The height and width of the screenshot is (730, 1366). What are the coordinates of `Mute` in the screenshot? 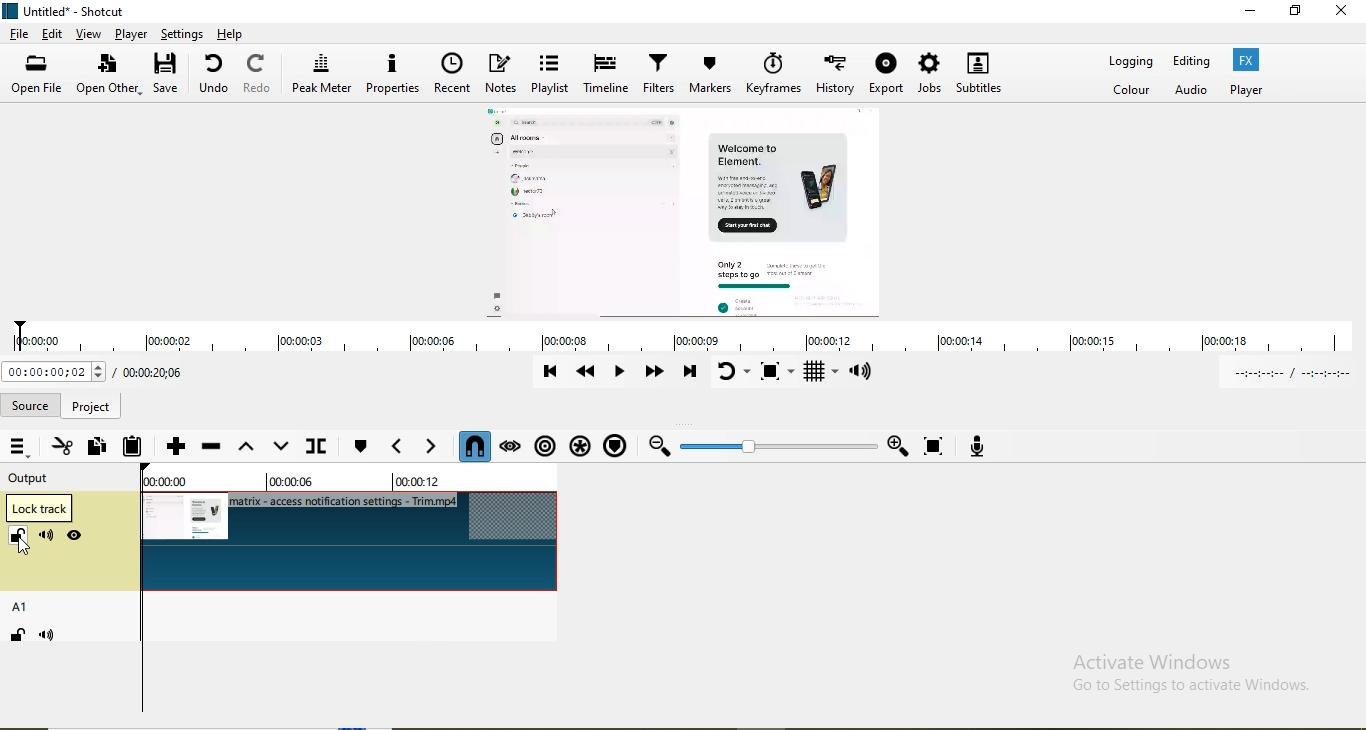 It's located at (47, 537).